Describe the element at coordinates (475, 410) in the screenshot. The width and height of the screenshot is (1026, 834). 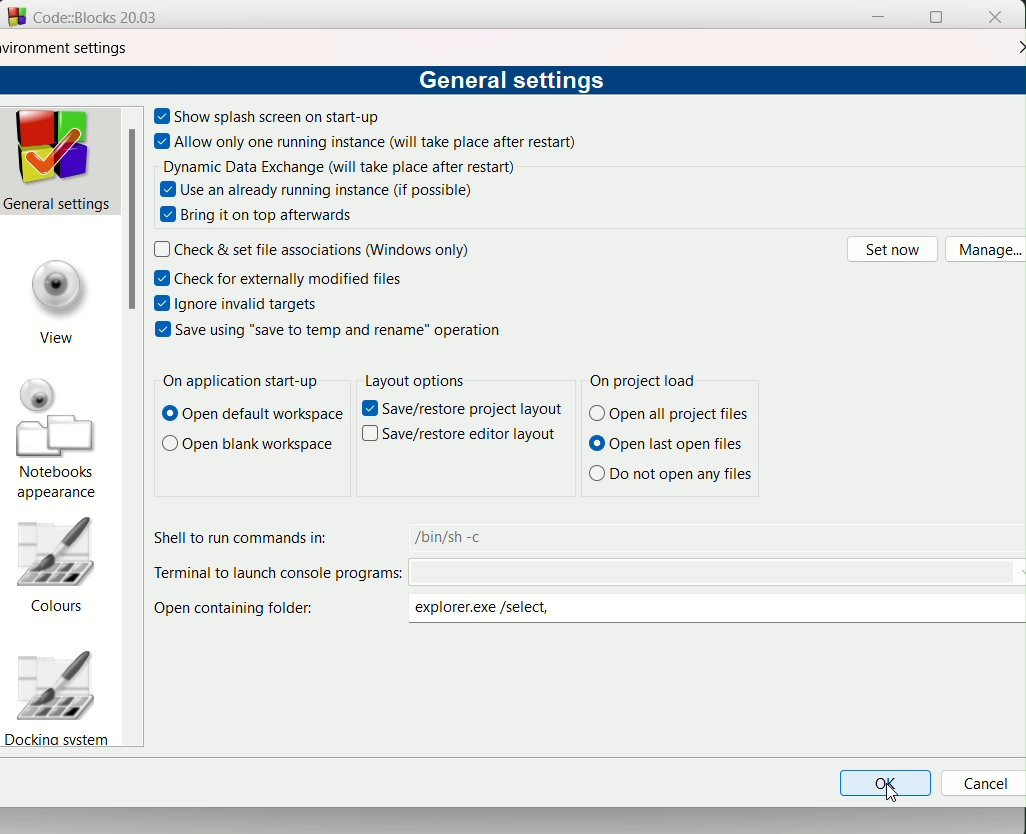
I see `` at that location.